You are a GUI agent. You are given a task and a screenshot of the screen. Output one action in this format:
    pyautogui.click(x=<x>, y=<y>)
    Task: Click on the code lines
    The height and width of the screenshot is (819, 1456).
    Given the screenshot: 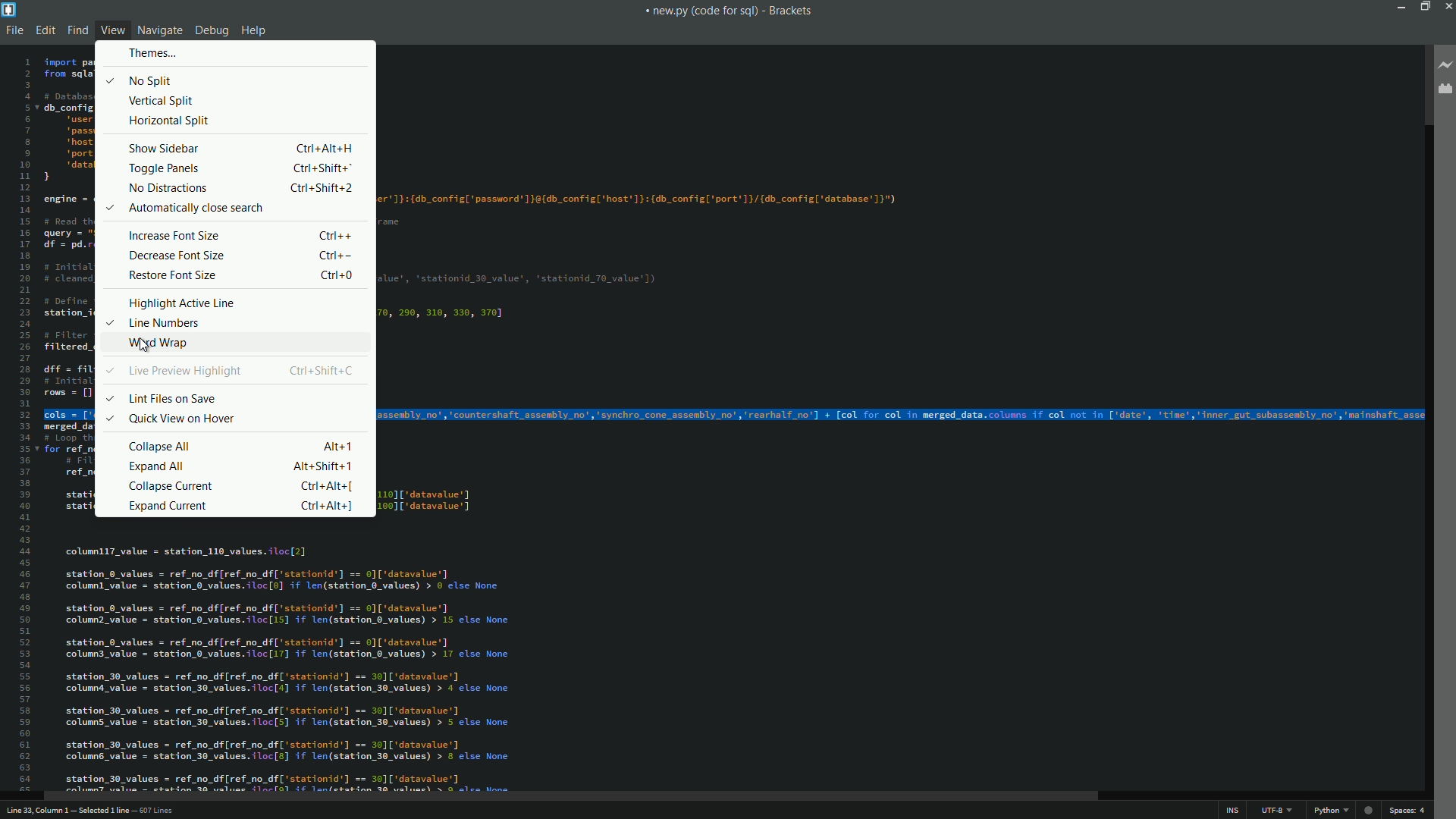 What is the action you would take?
    pyautogui.click(x=729, y=224)
    